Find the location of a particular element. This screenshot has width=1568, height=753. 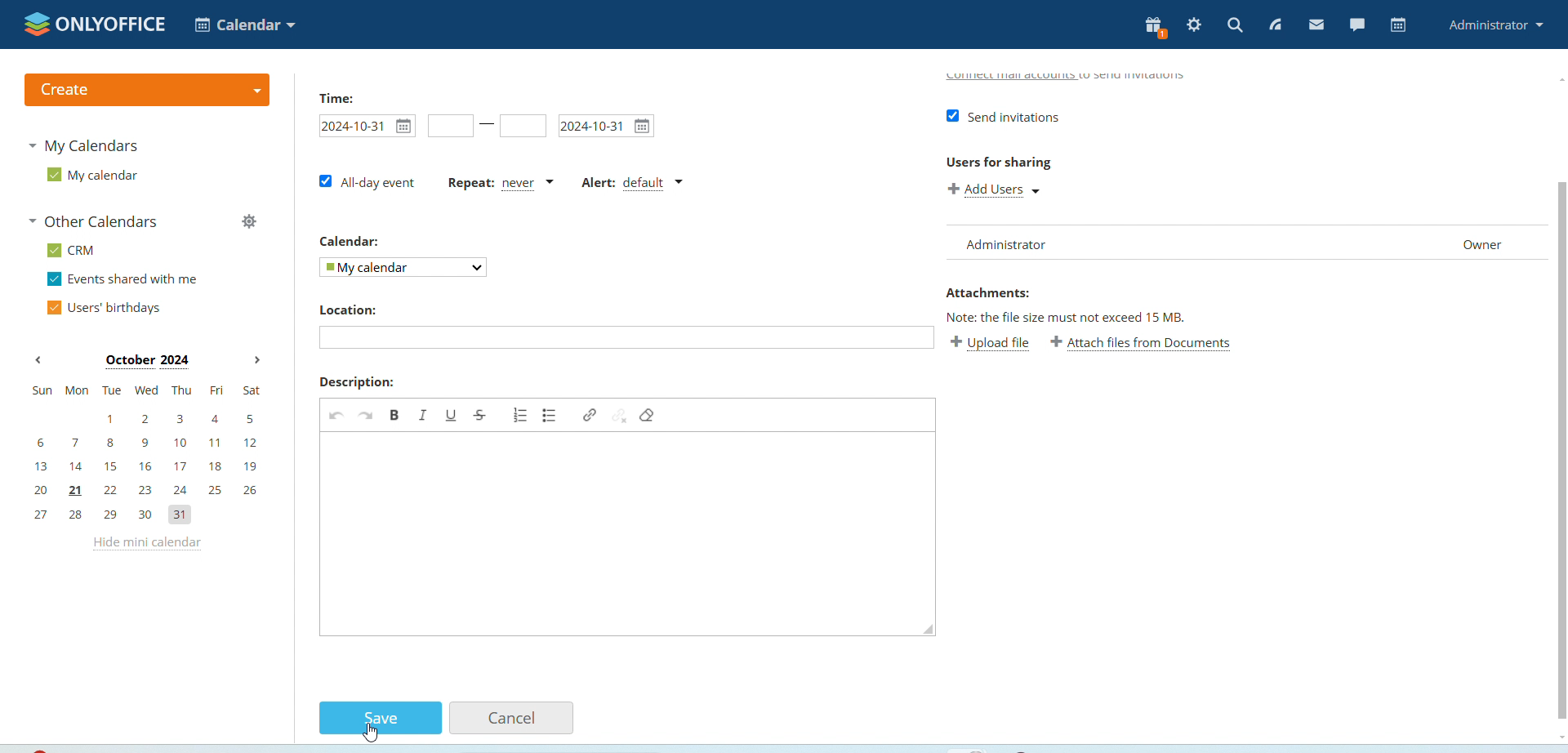

Set event end time is located at coordinates (523, 127).